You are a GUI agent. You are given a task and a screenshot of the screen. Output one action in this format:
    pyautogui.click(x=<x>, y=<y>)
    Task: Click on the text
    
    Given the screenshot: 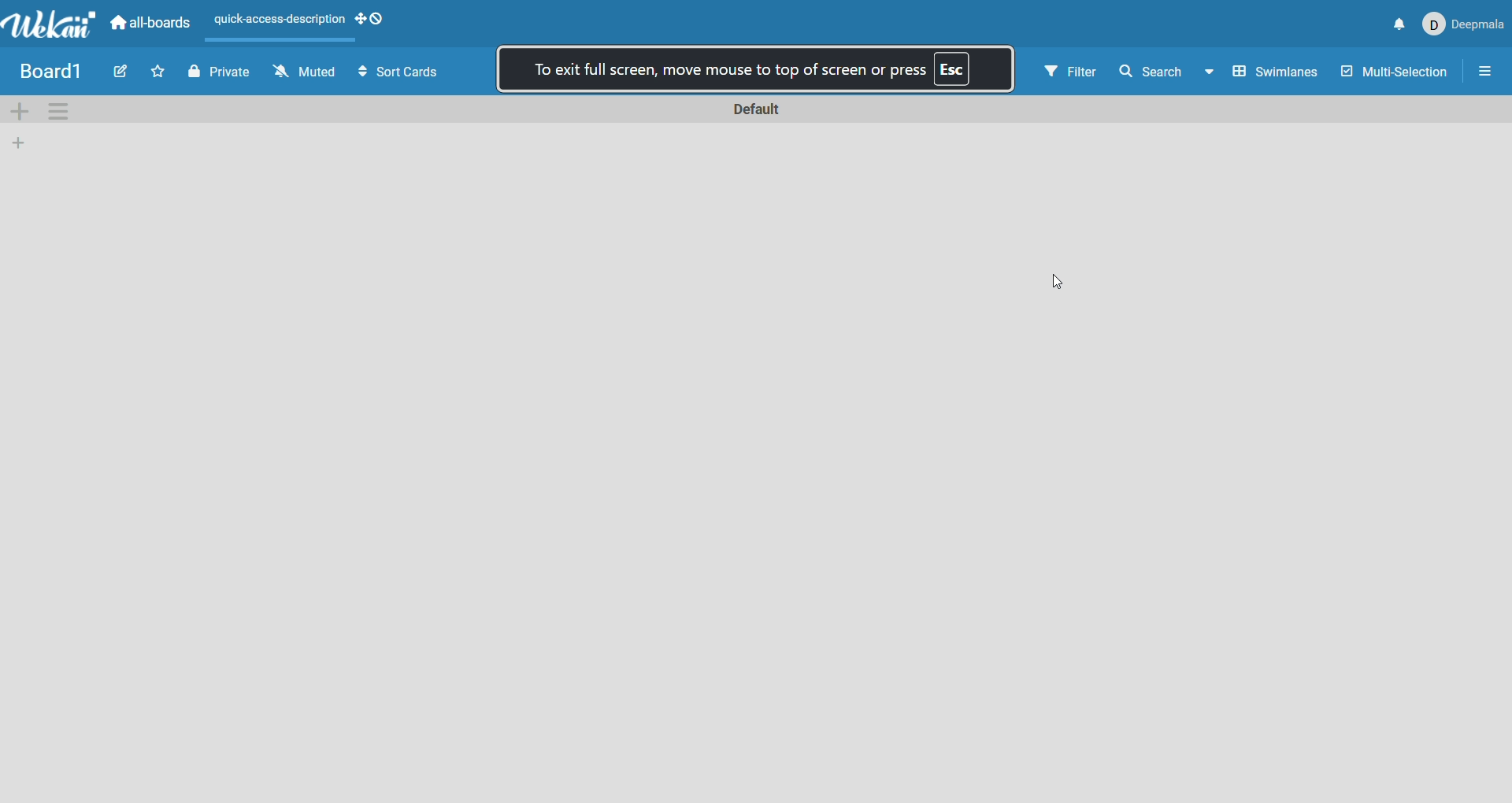 What is the action you would take?
    pyautogui.click(x=760, y=67)
    